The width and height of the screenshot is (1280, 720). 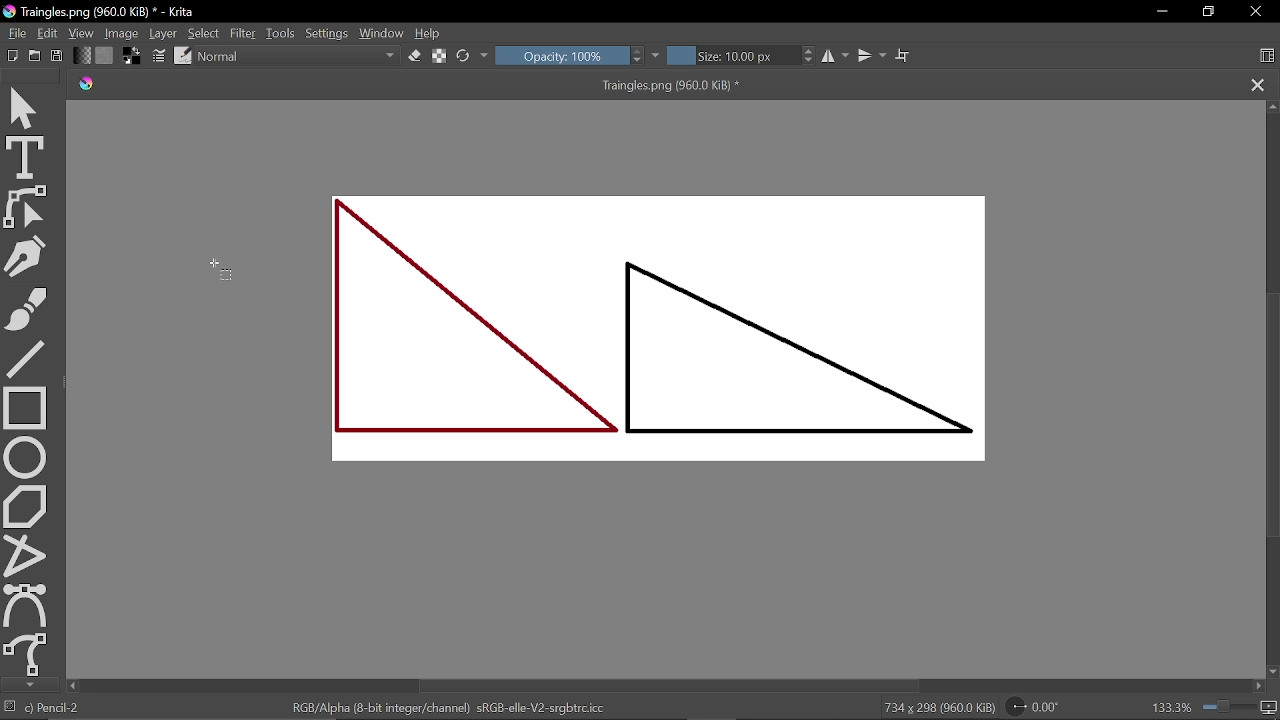 I want to click on View, so click(x=82, y=33).